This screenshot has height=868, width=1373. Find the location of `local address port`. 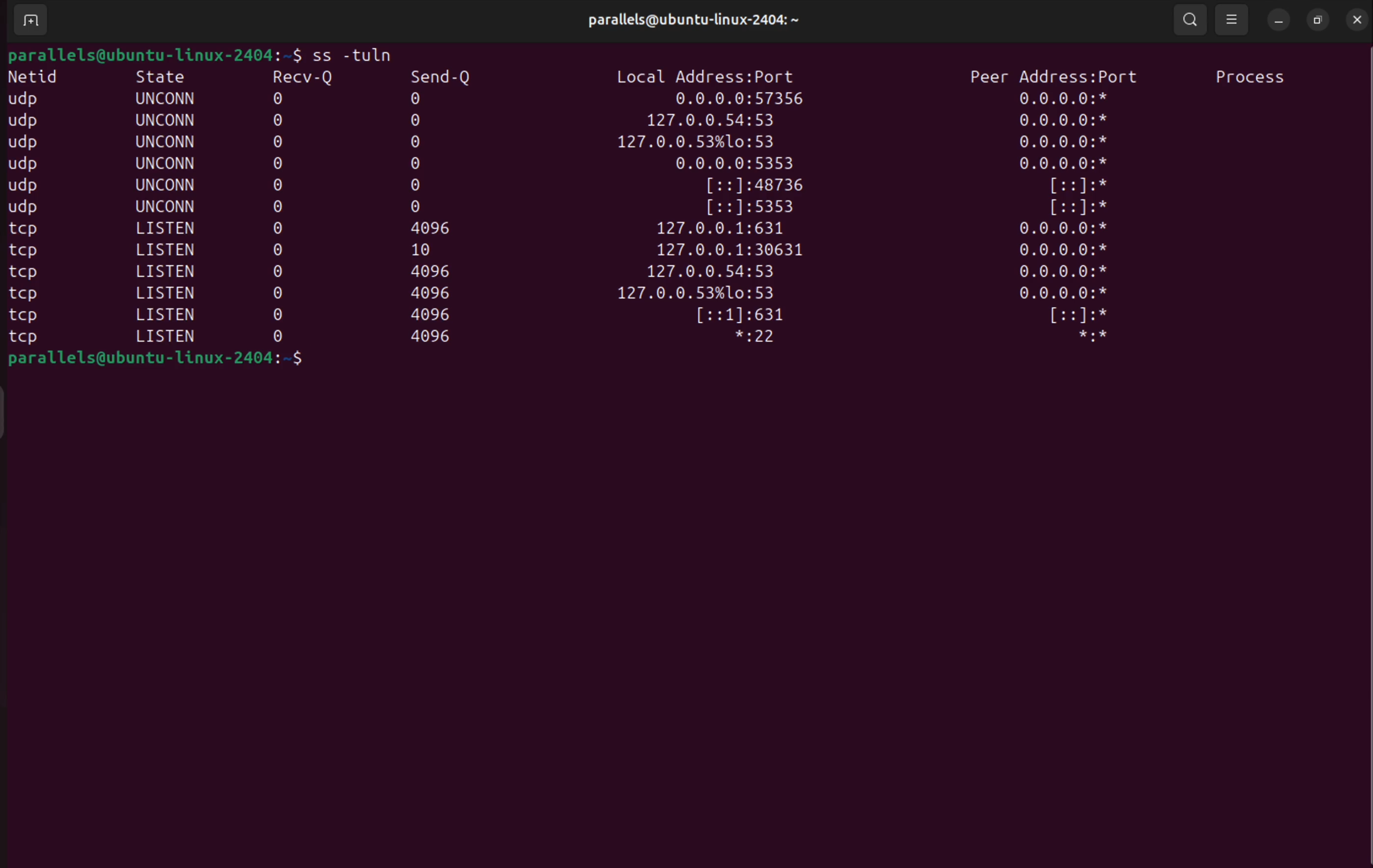

local address port is located at coordinates (715, 76).